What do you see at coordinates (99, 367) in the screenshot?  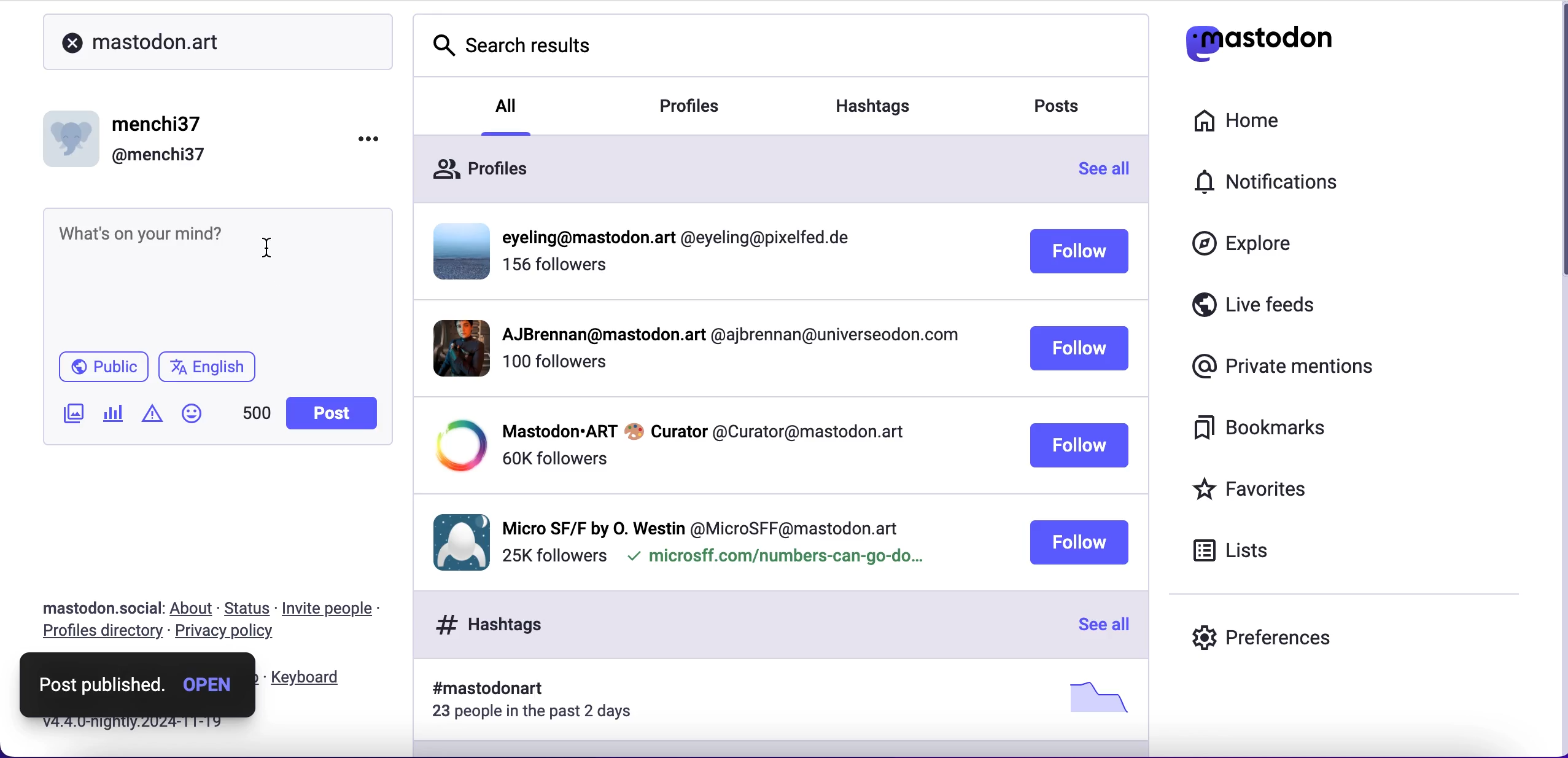 I see `public` at bounding box center [99, 367].